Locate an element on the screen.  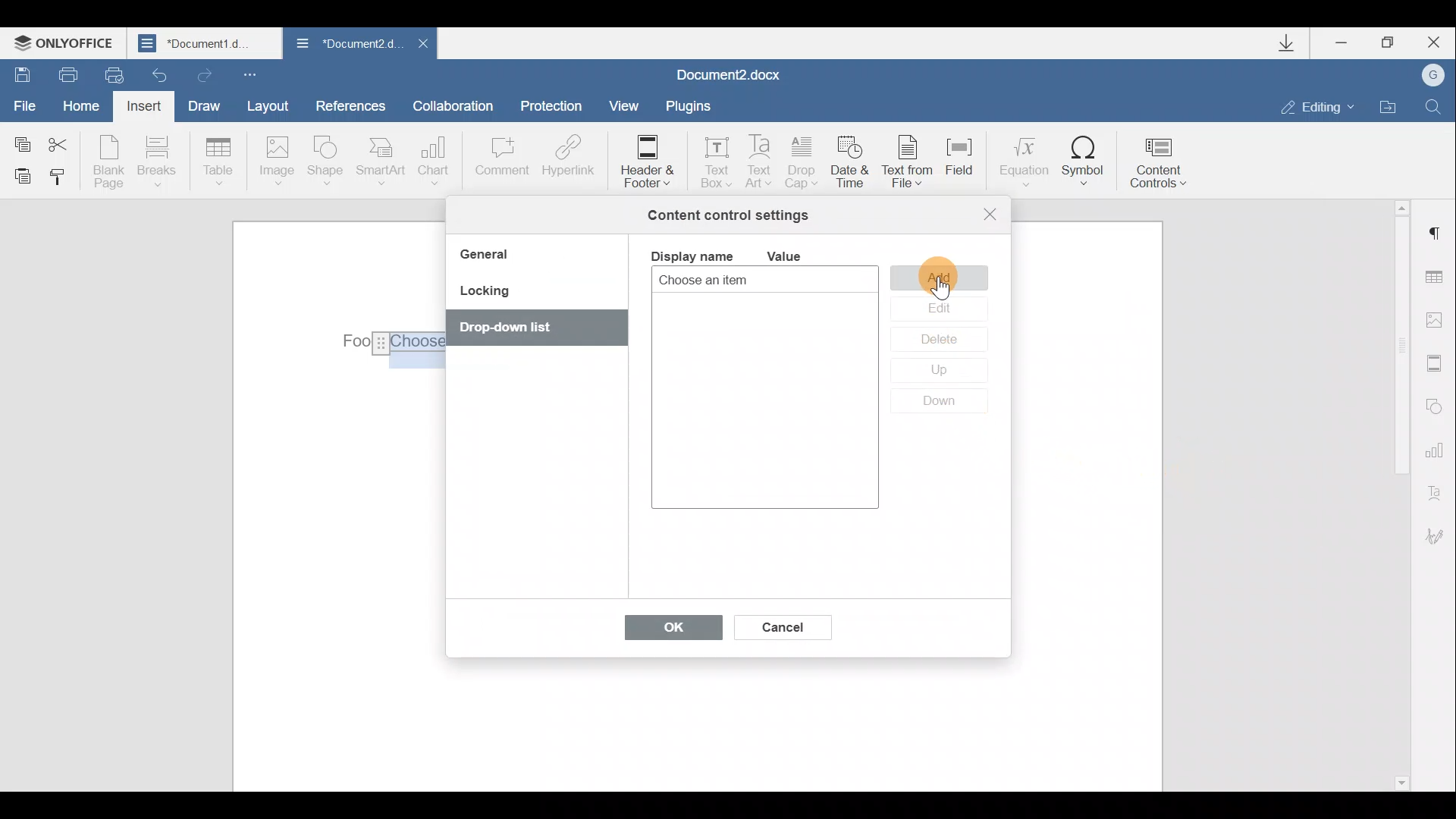
Header & footer is located at coordinates (646, 160).